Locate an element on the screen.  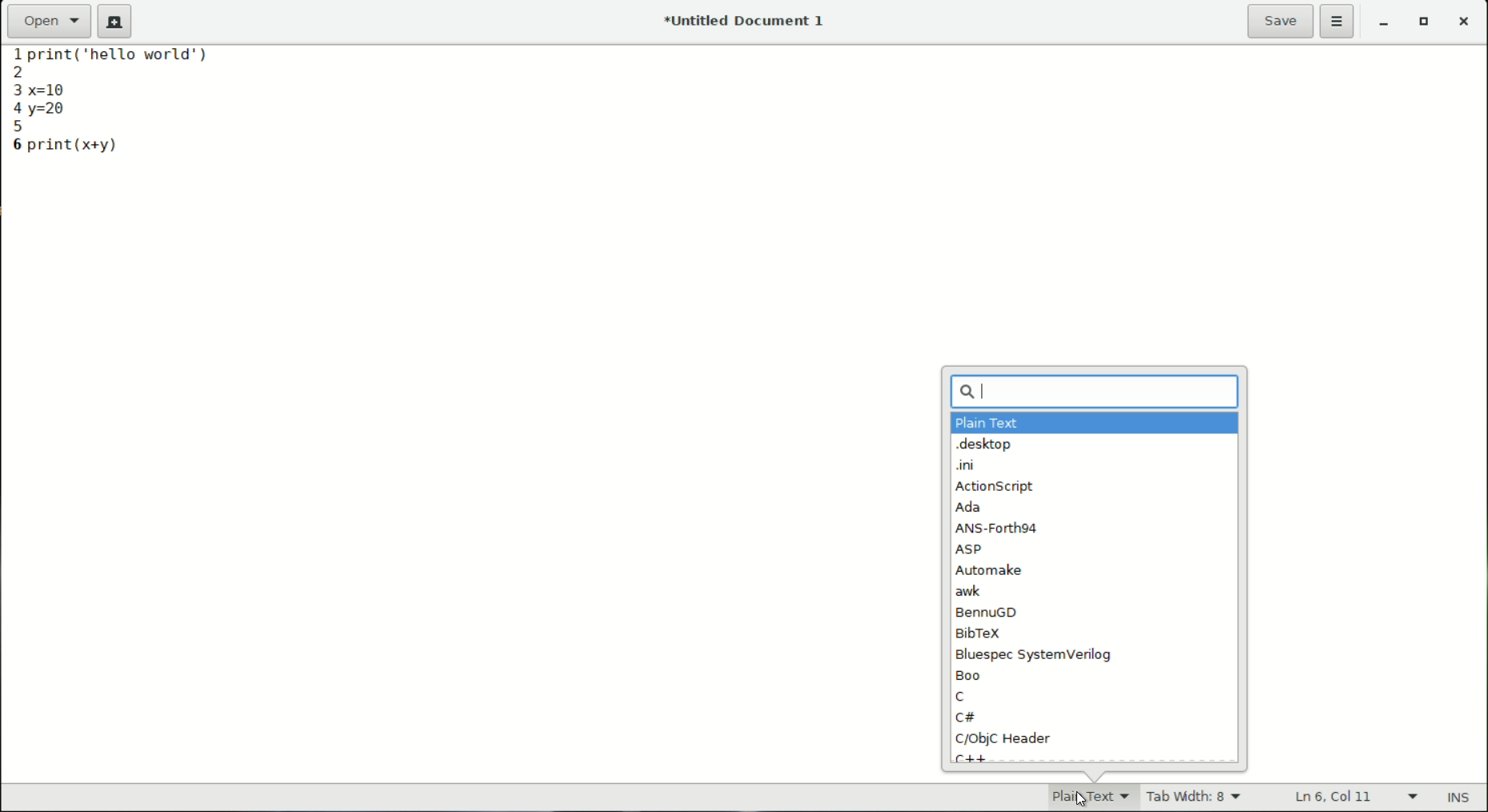
cursor is located at coordinates (1079, 796).